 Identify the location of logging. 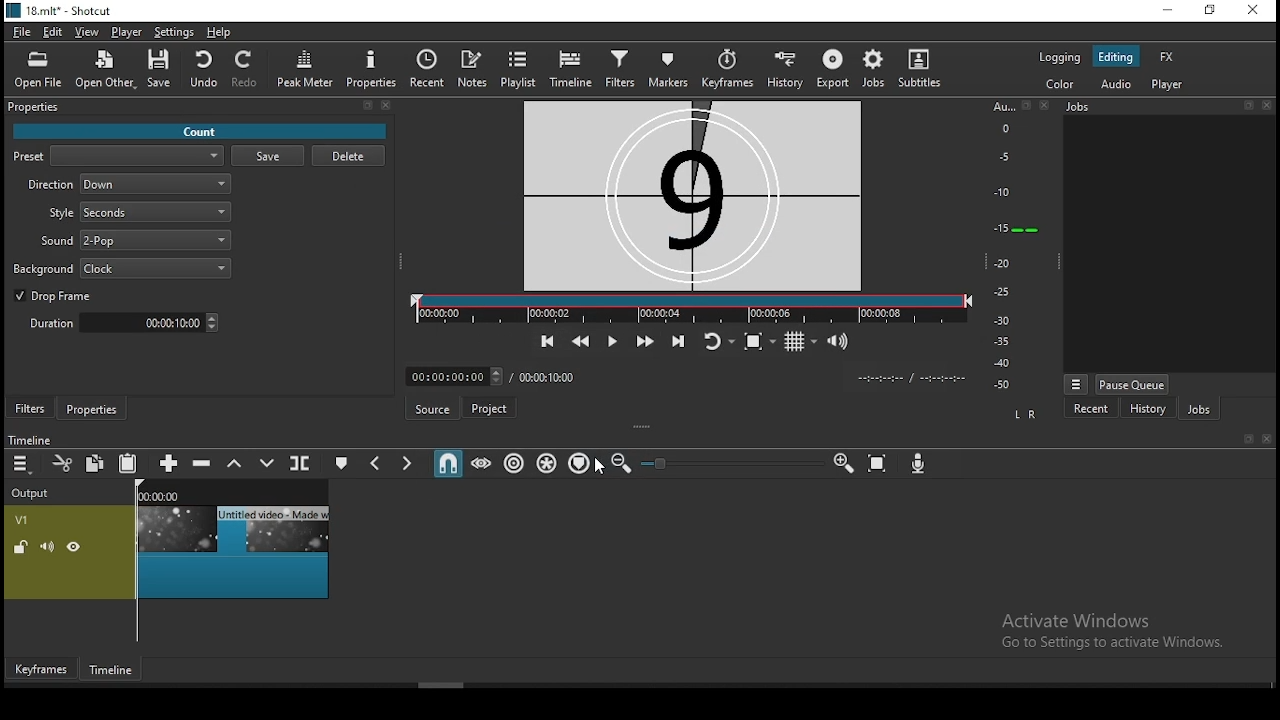
(1059, 58).